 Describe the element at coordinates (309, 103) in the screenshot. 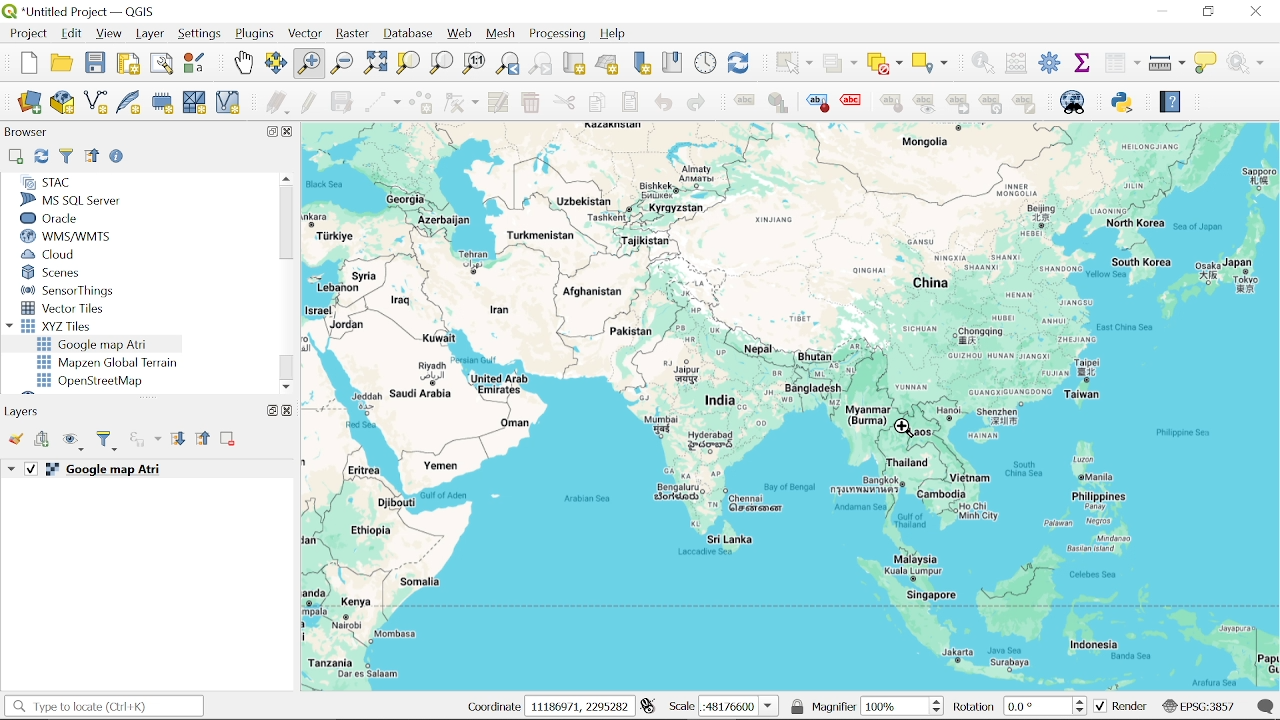

I see `Toggle editing` at that location.